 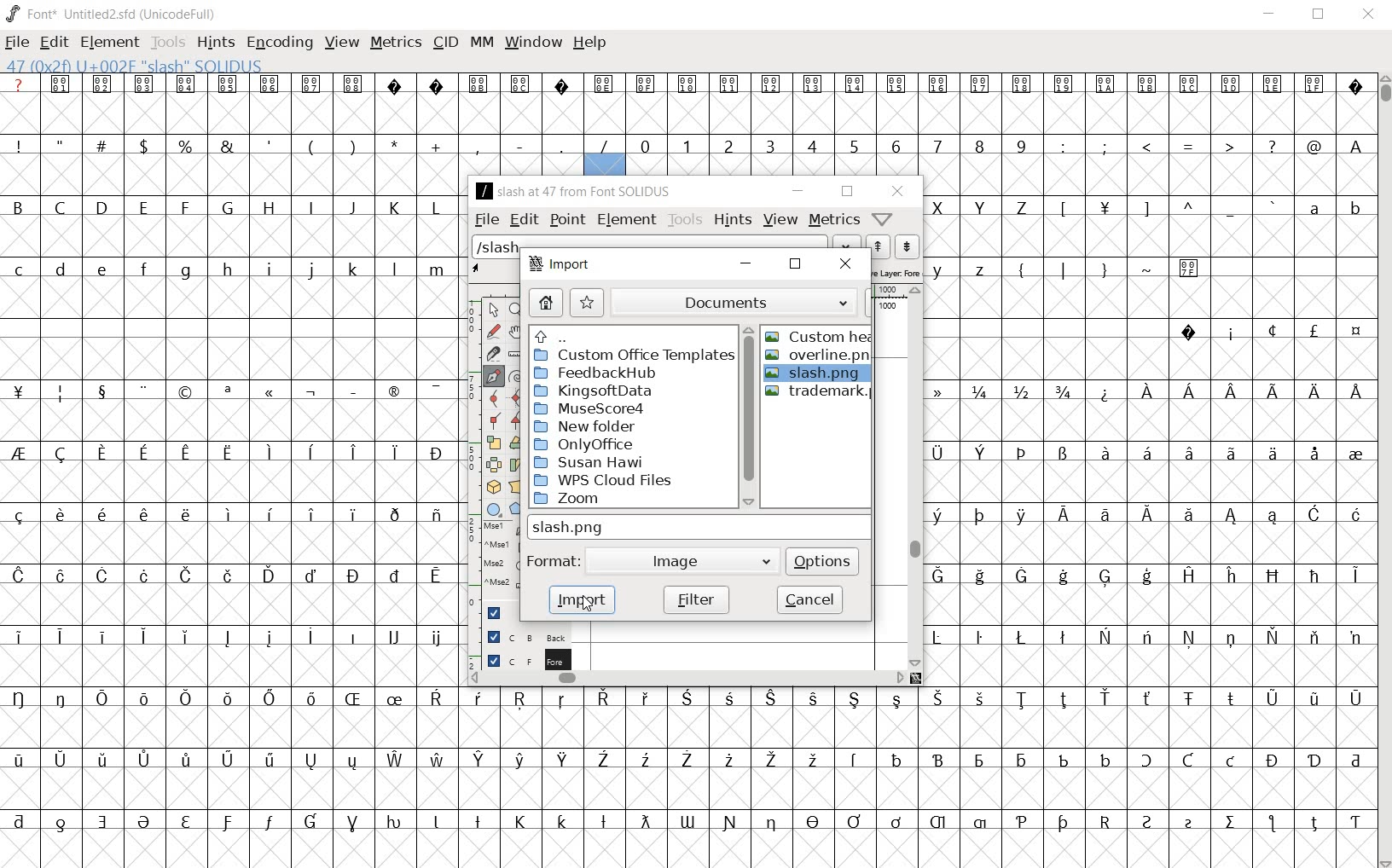 What do you see at coordinates (232, 605) in the screenshot?
I see `empty cells` at bounding box center [232, 605].